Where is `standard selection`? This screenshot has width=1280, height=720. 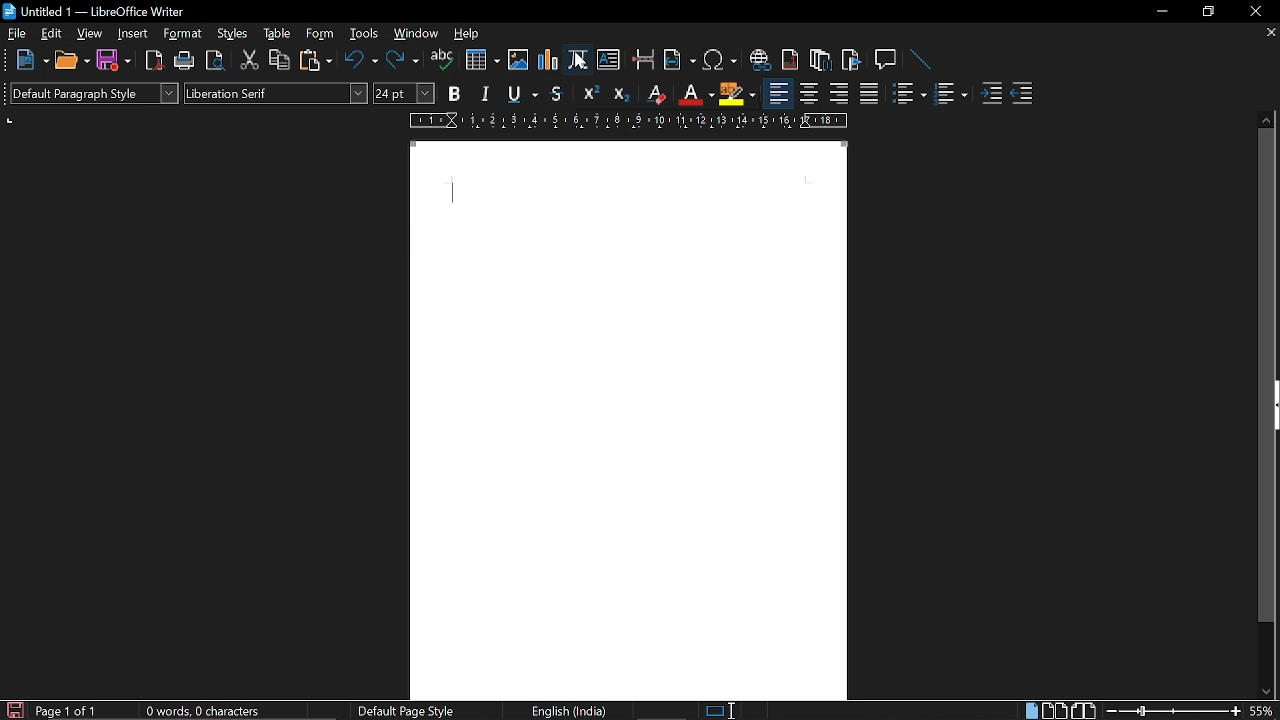 standard selection is located at coordinates (721, 711).